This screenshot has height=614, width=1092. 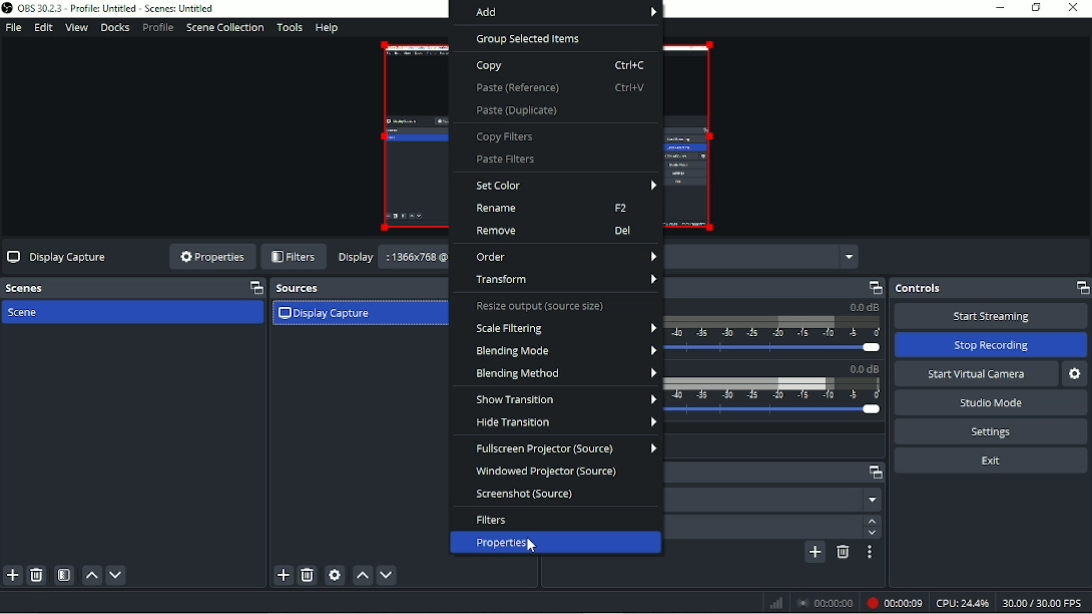 I want to click on Profile, so click(x=158, y=28).